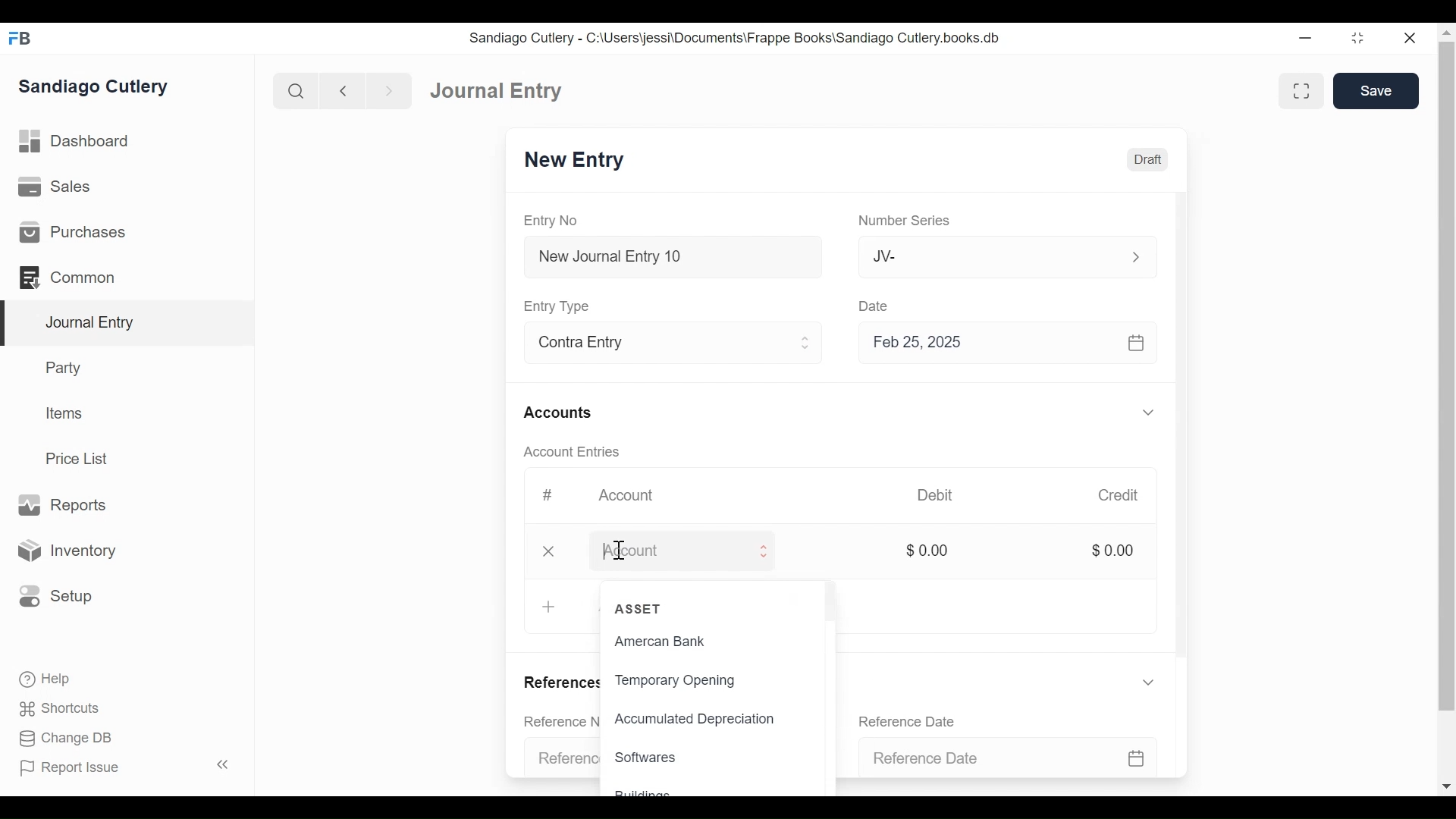 This screenshot has width=1456, height=819. I want to click on Entry Type, so click(566, 306).